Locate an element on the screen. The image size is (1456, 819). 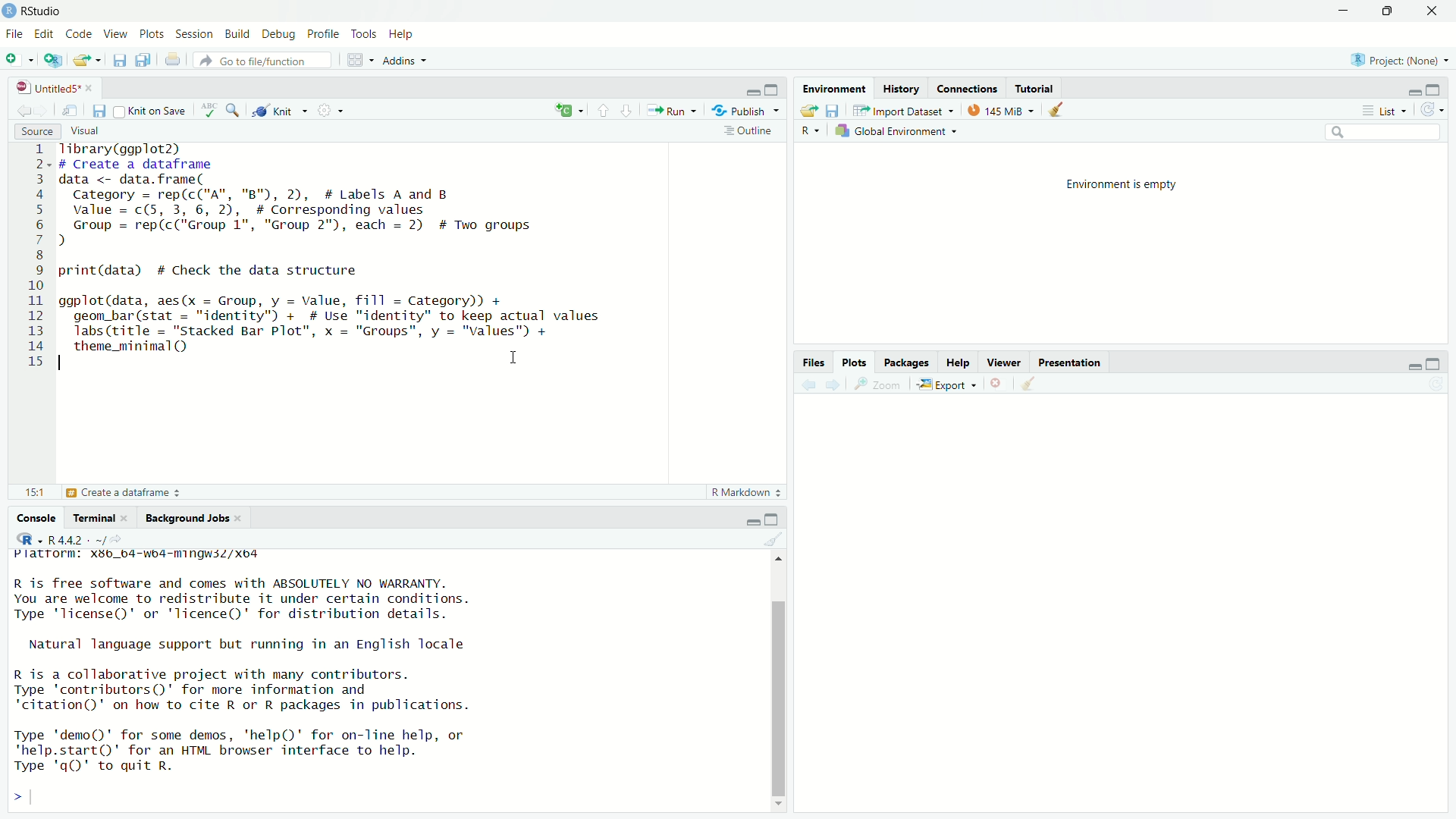
Minimize is located at coordinates (1412, 91).